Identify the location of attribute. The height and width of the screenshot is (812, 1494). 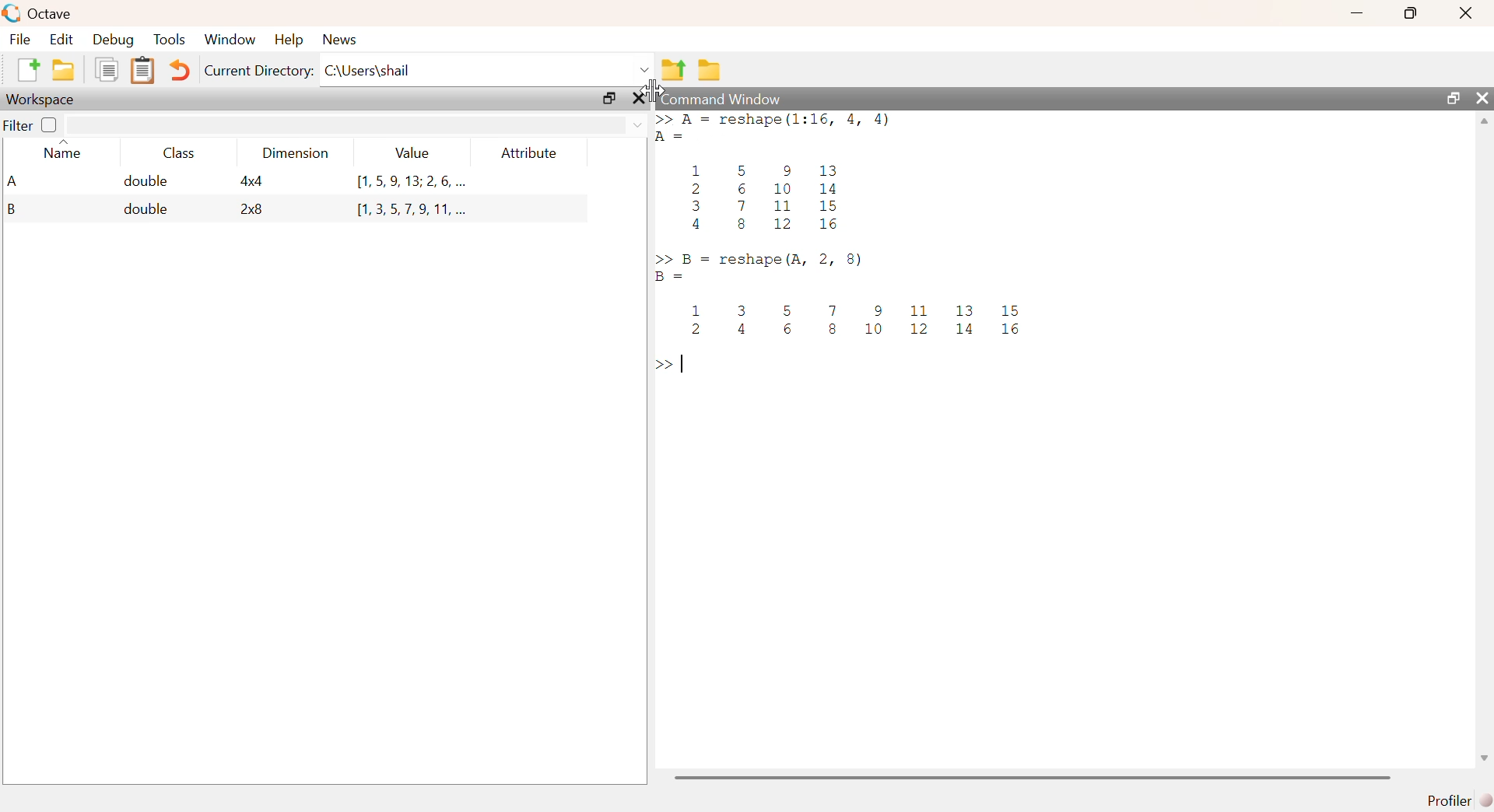
(534, 154).